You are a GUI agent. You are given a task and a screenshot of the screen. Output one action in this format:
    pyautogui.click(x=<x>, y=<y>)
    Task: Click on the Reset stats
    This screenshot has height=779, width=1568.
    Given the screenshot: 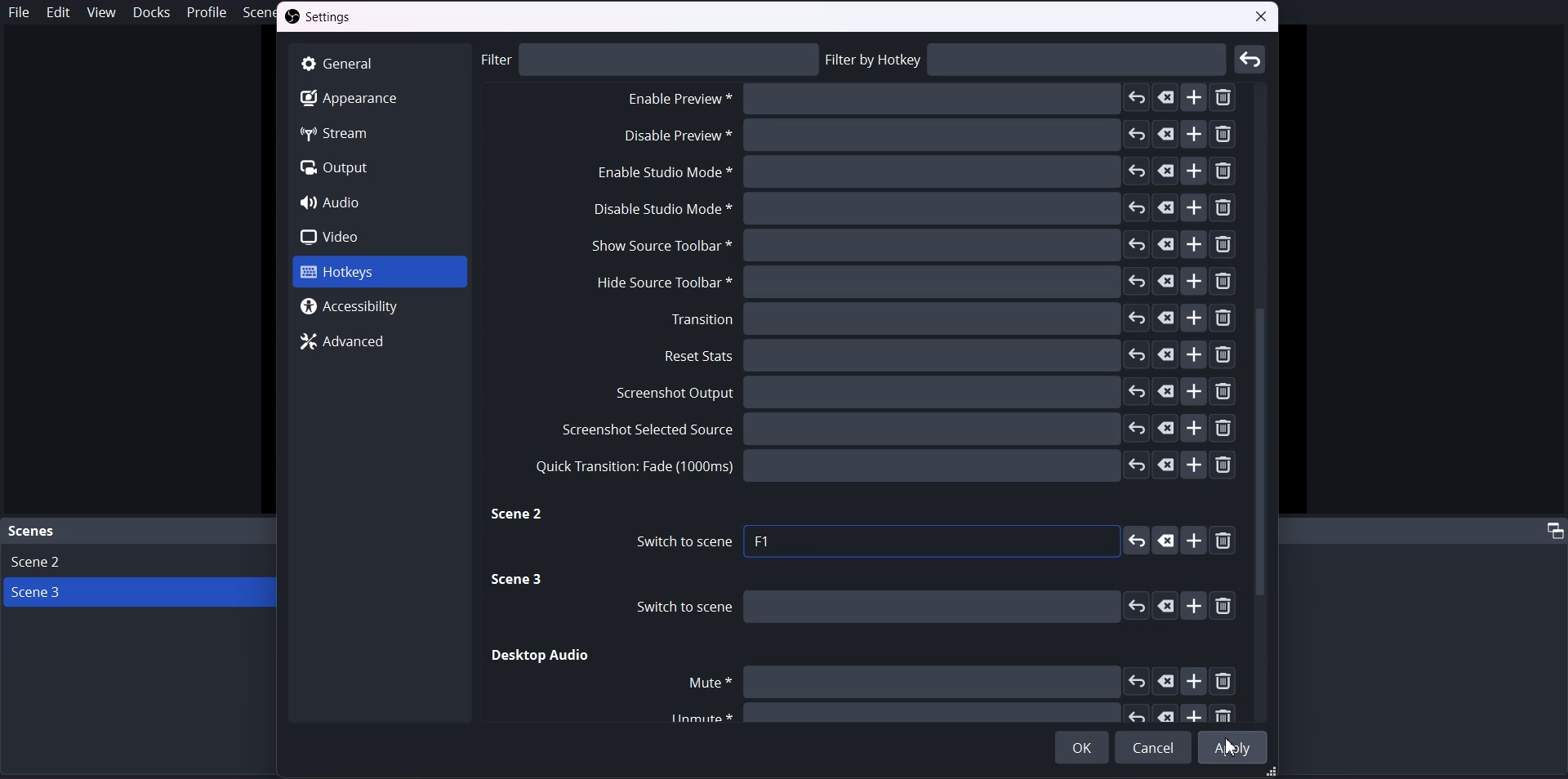 What is the action you would take?
    pyautogui.click(x=951, y=355)
    